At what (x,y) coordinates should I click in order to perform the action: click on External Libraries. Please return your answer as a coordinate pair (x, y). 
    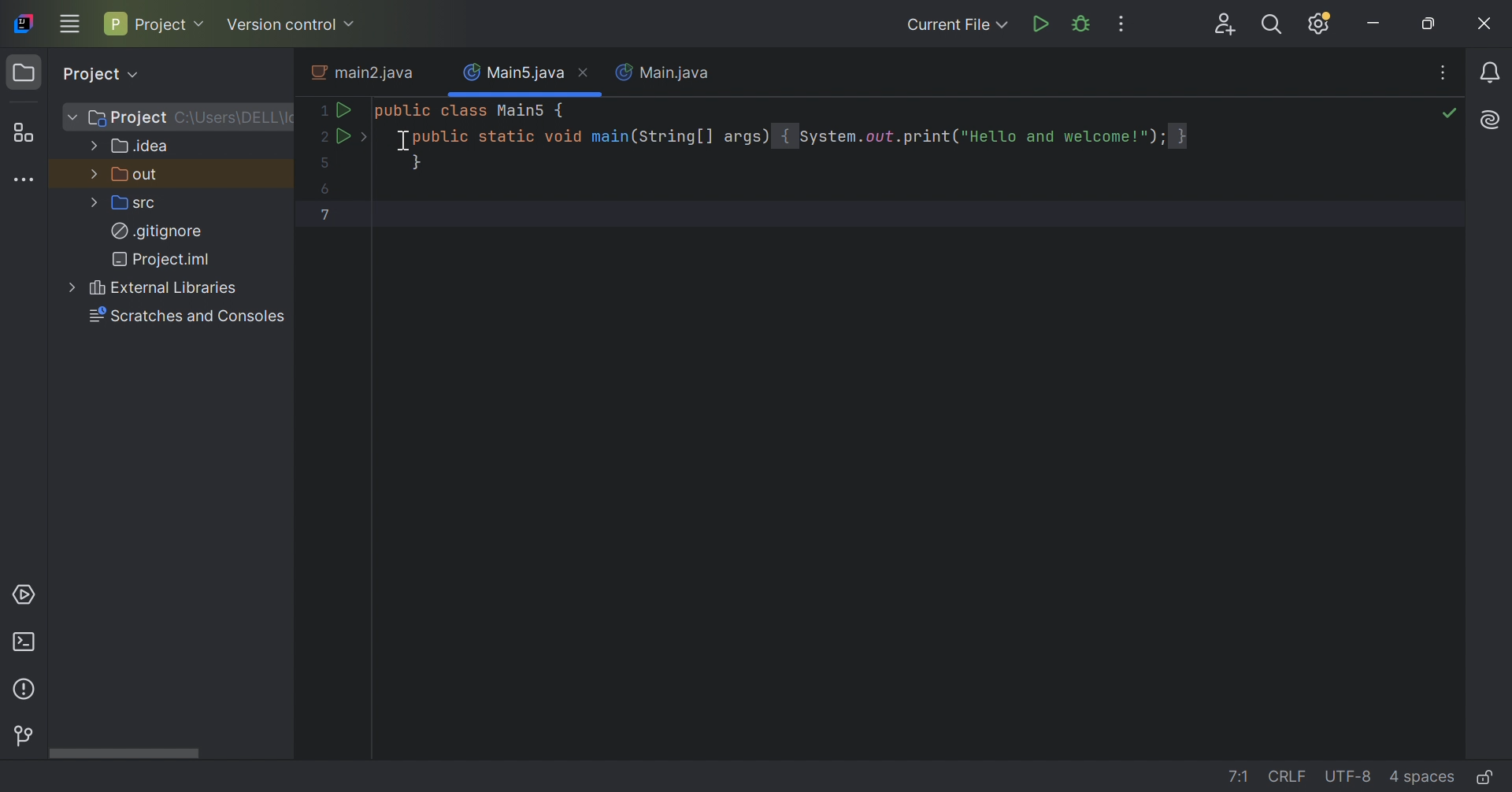
    Looking at the image, I should click on (163, 288).